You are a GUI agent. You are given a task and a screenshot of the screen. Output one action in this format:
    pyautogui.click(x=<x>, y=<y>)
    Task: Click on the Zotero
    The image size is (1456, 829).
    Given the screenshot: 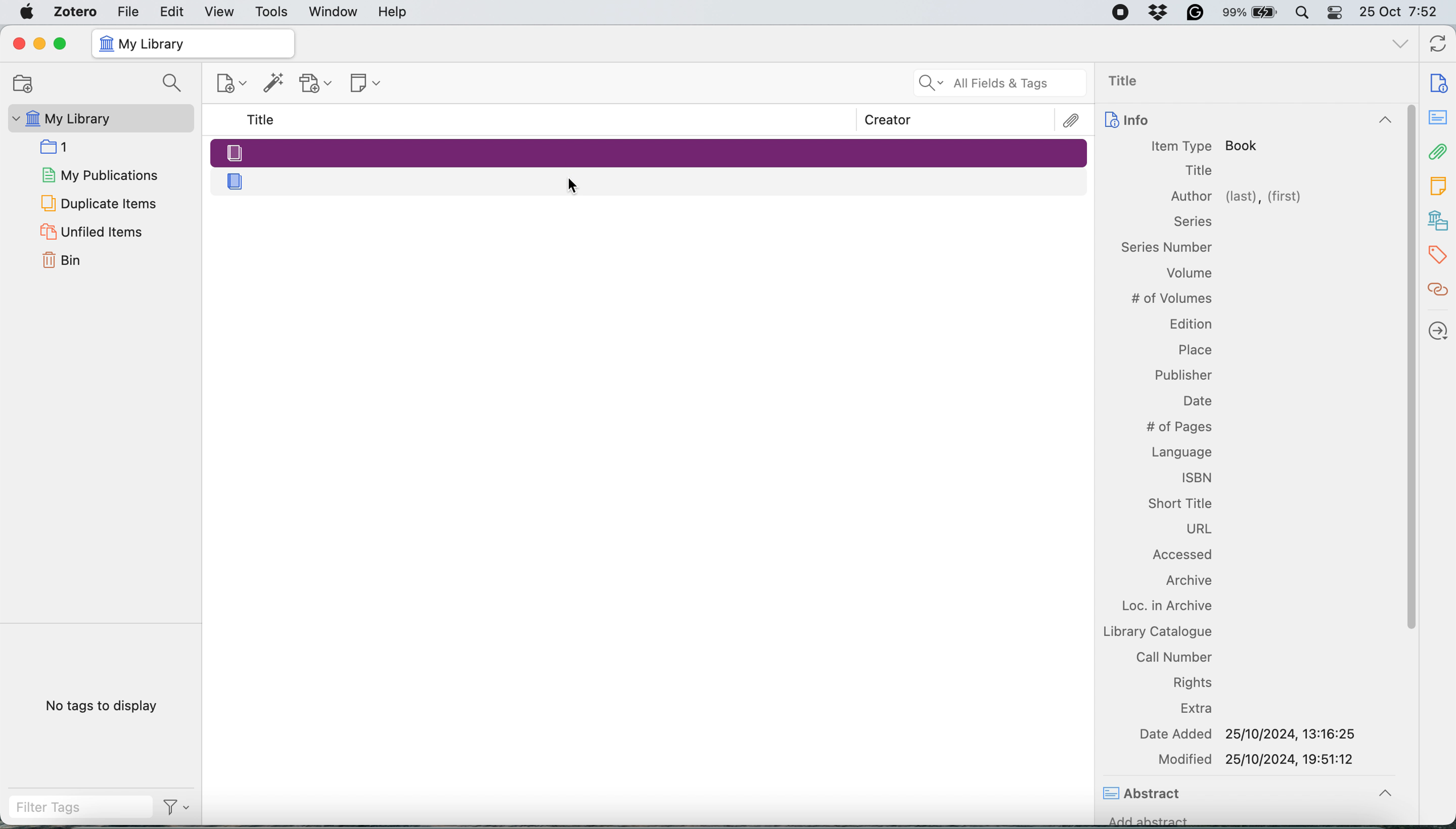 What is the action you would take?
    pyautogui.click(x=76, y=11)
    